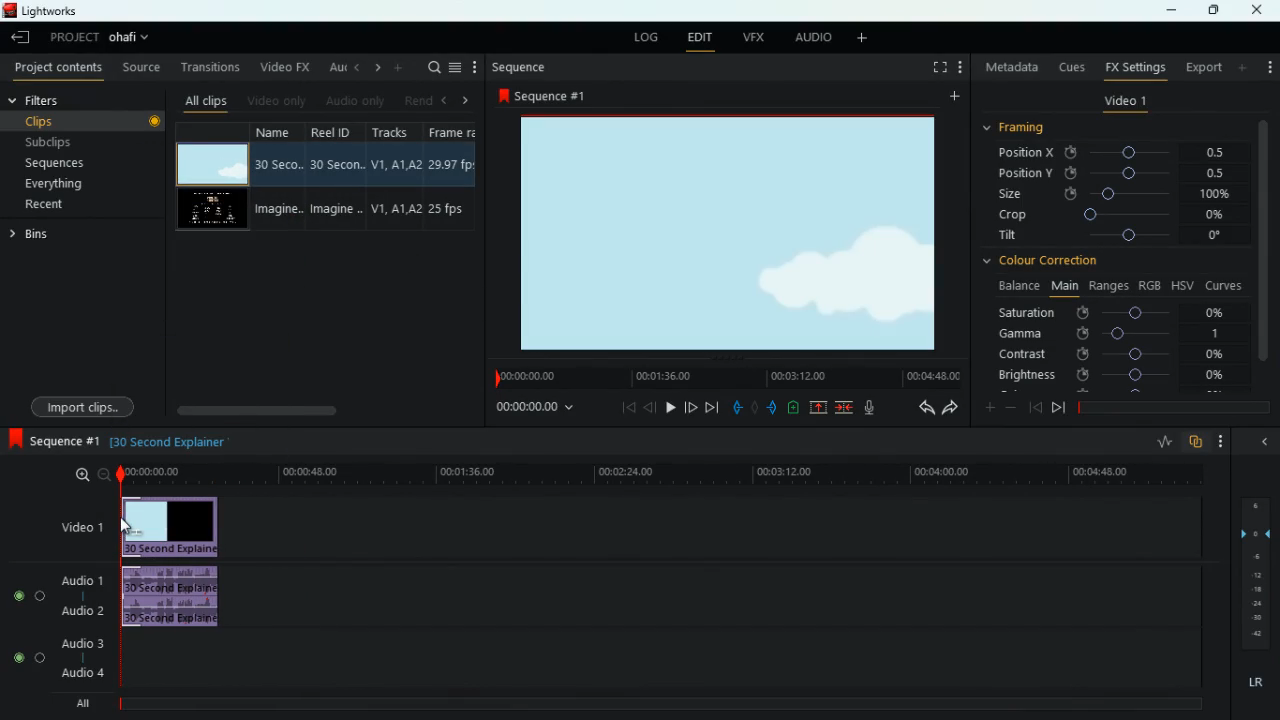 The width and height of the screenshot is (1280, 720). What do you see at coordinates (1111, 194) in the screenshot?
I see `size` at bounding box center [1111, 194].